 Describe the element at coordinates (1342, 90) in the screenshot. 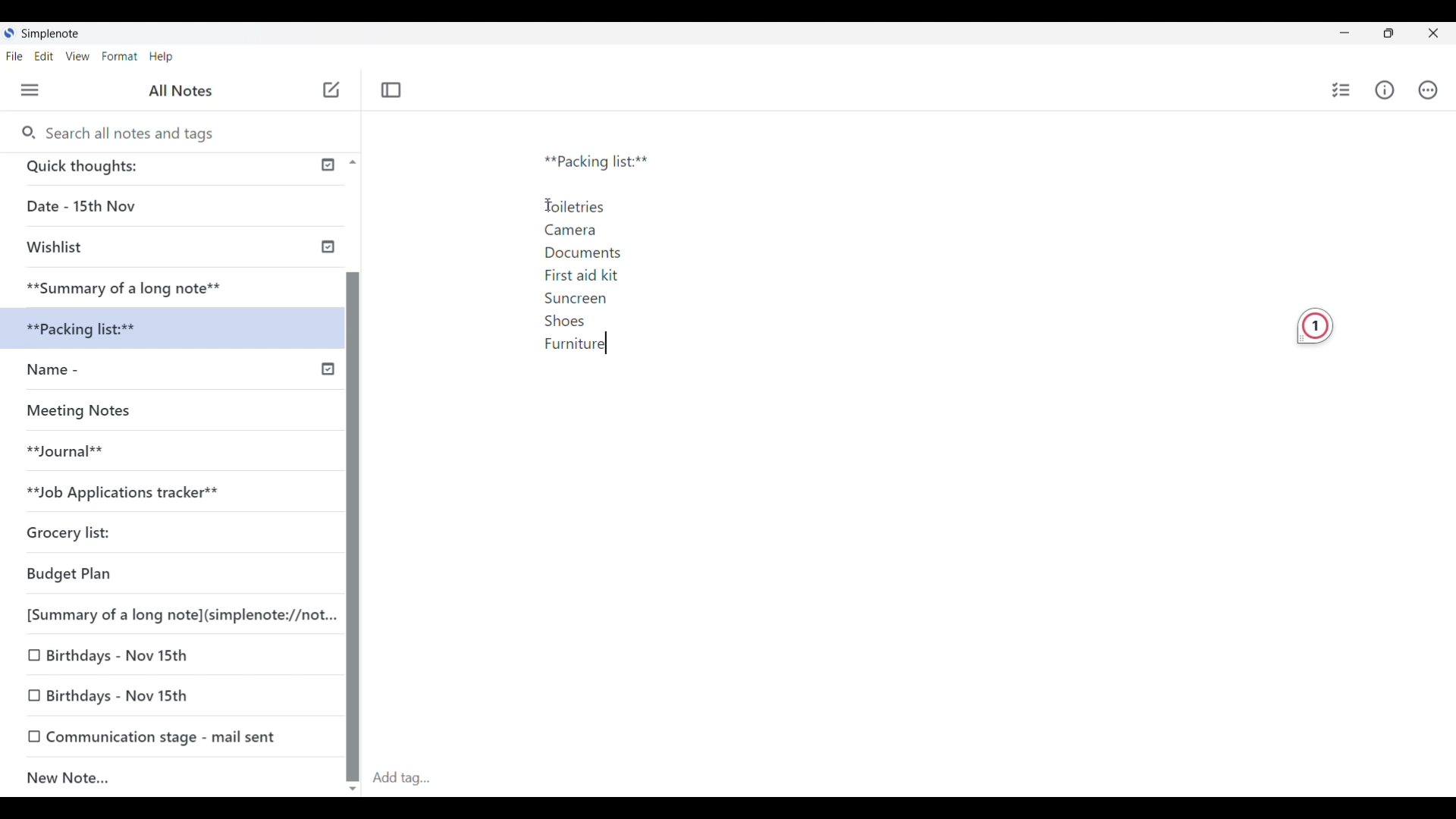

I see `Insert checklist` at that location.